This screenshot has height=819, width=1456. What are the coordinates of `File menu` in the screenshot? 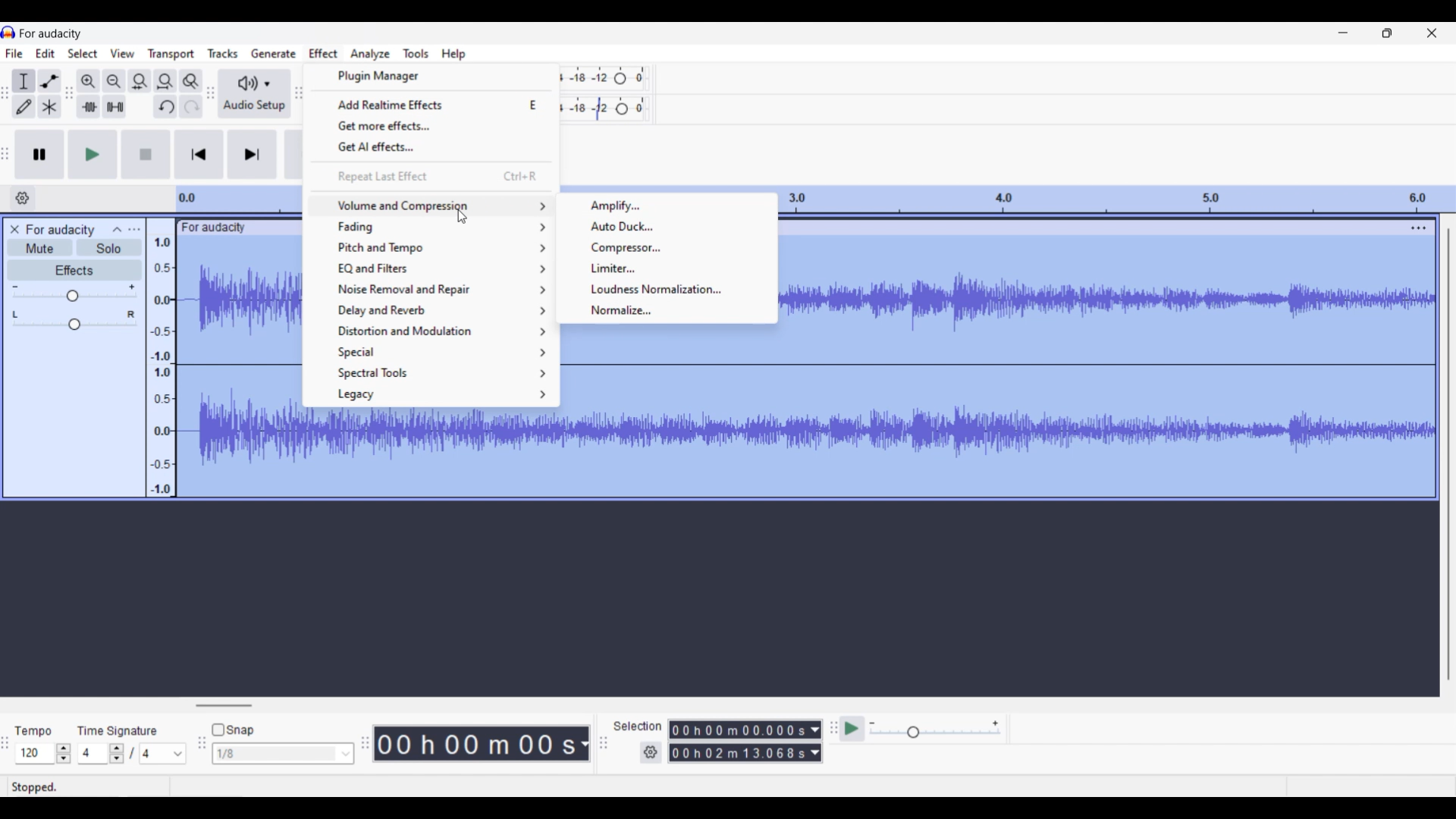 It's located at (14, 53).